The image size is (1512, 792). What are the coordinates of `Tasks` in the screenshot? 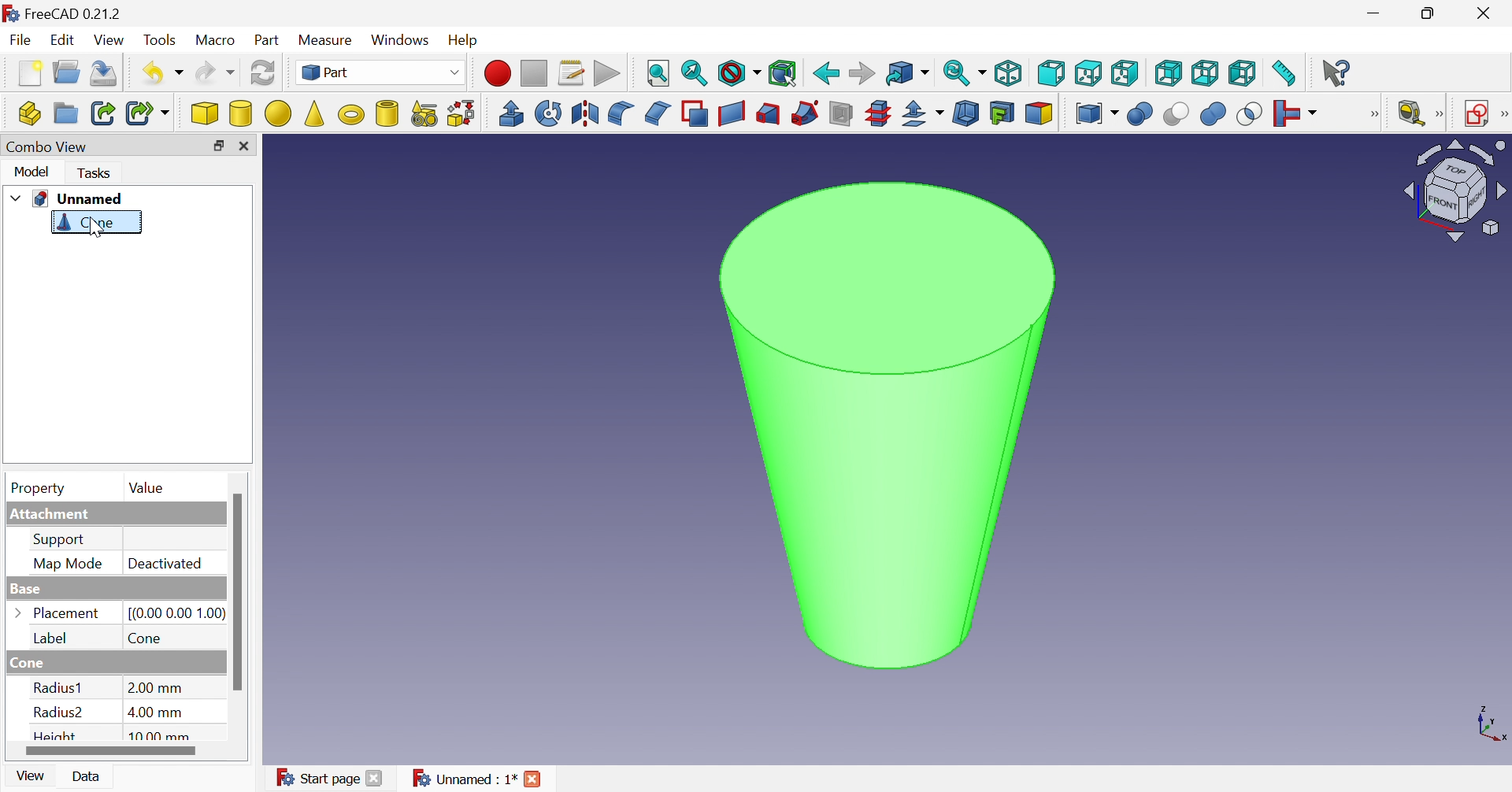 It's located at (96, 173).